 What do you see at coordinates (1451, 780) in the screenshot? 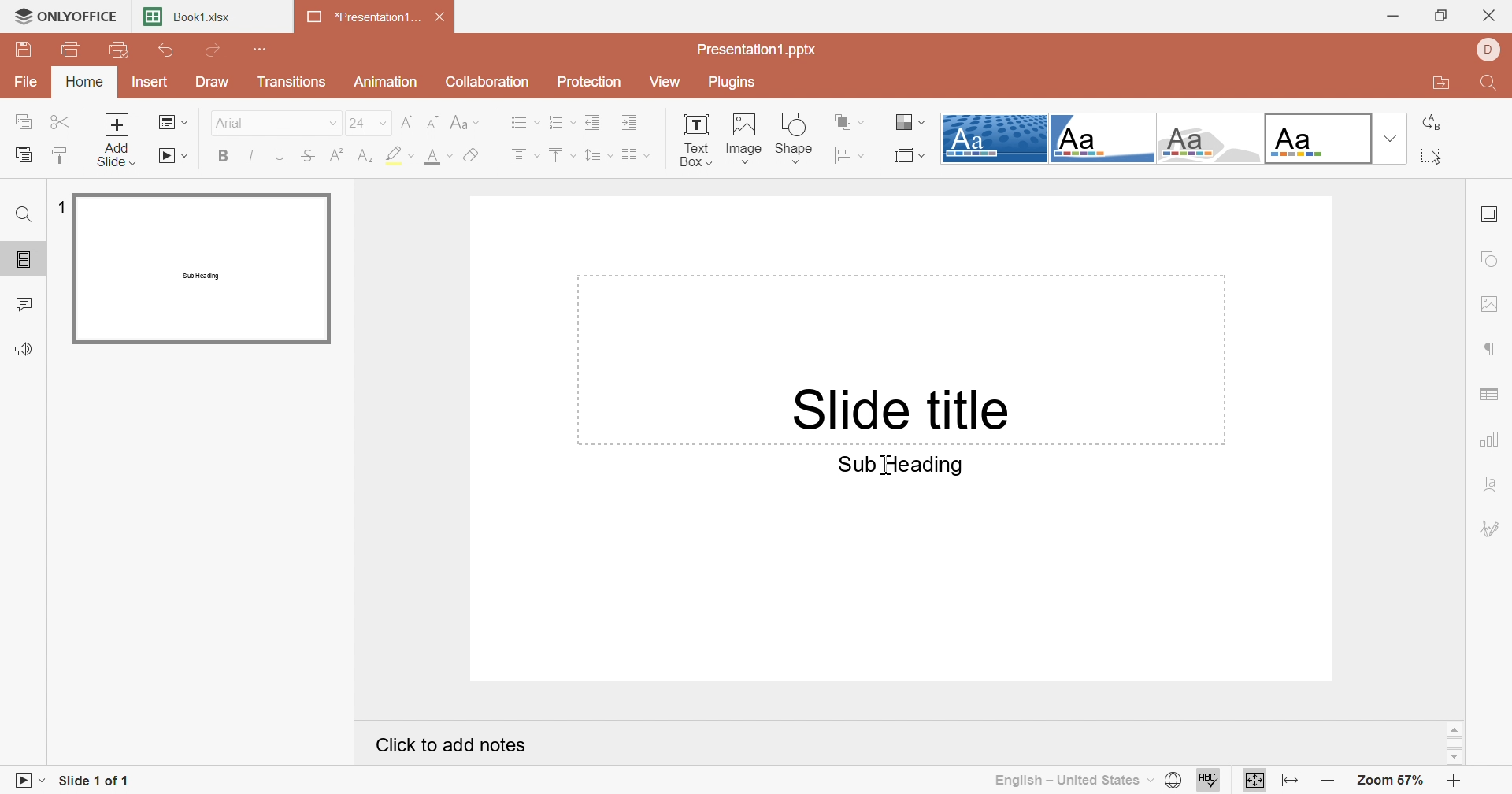
I see `Zoom In` at bounding box center [1451, 780].